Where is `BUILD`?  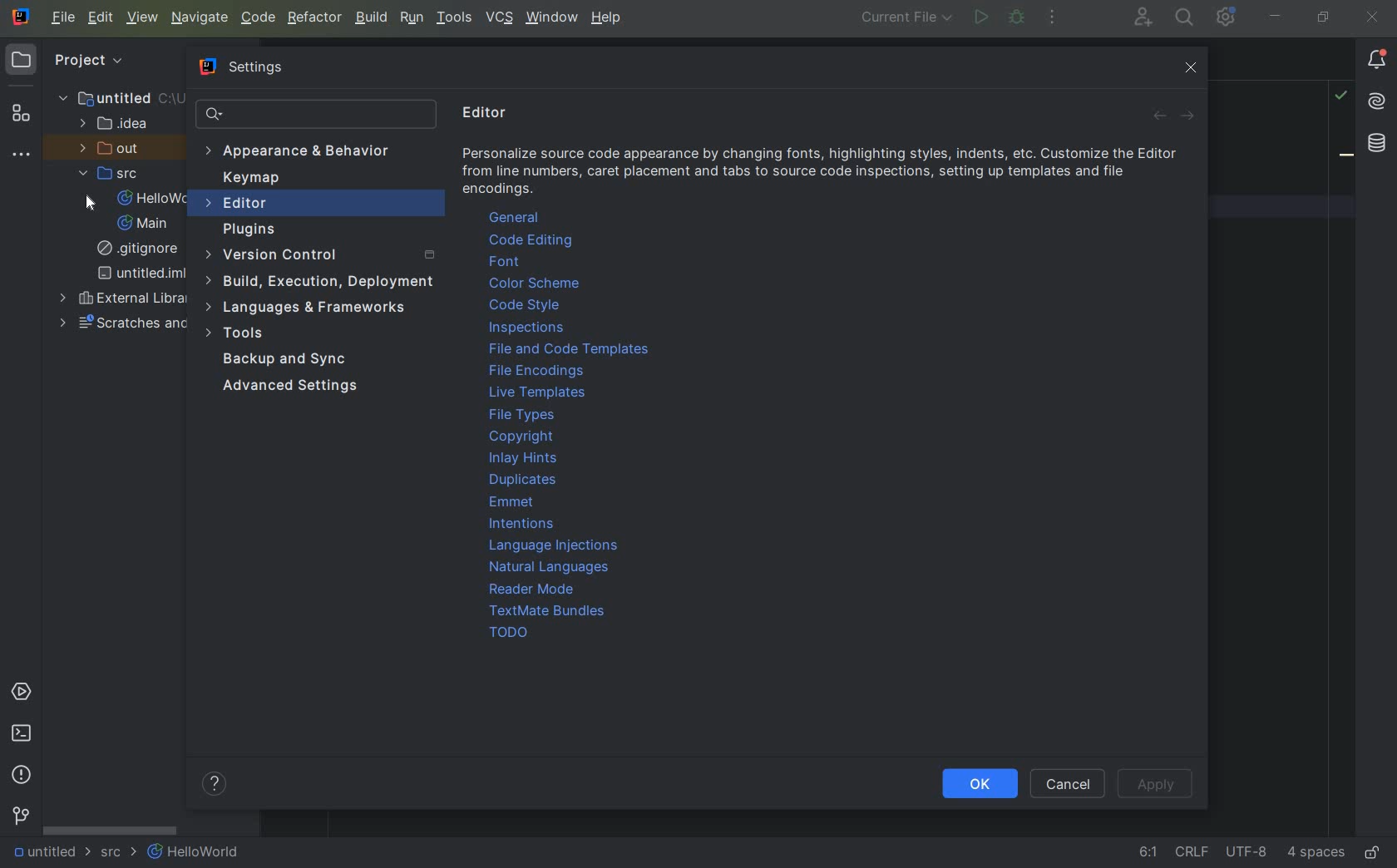
BUILD is located at coordinates (372, 17).